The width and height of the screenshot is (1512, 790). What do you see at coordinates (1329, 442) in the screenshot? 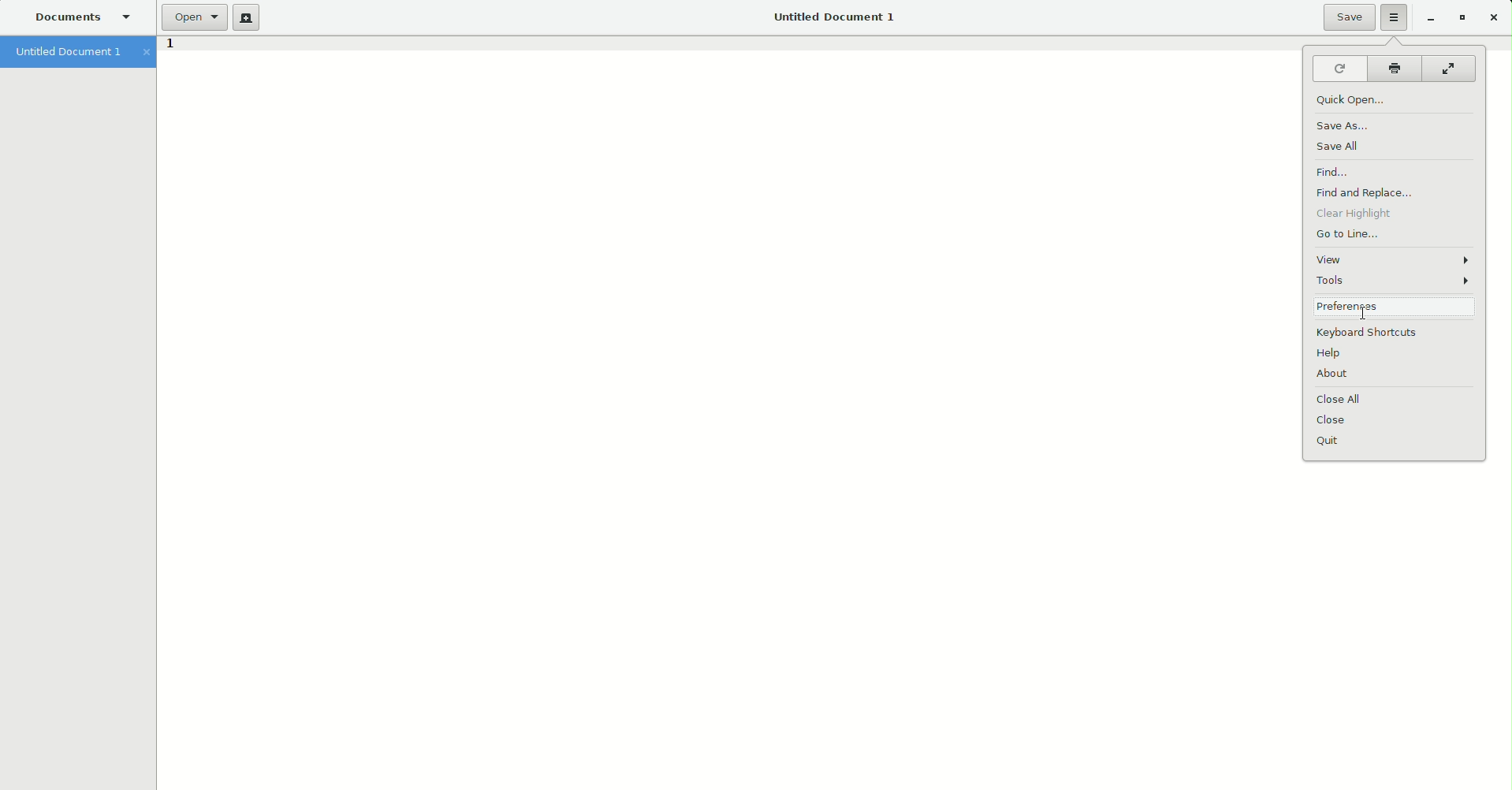
I see `Quit` at bounding box center [1329, 442].